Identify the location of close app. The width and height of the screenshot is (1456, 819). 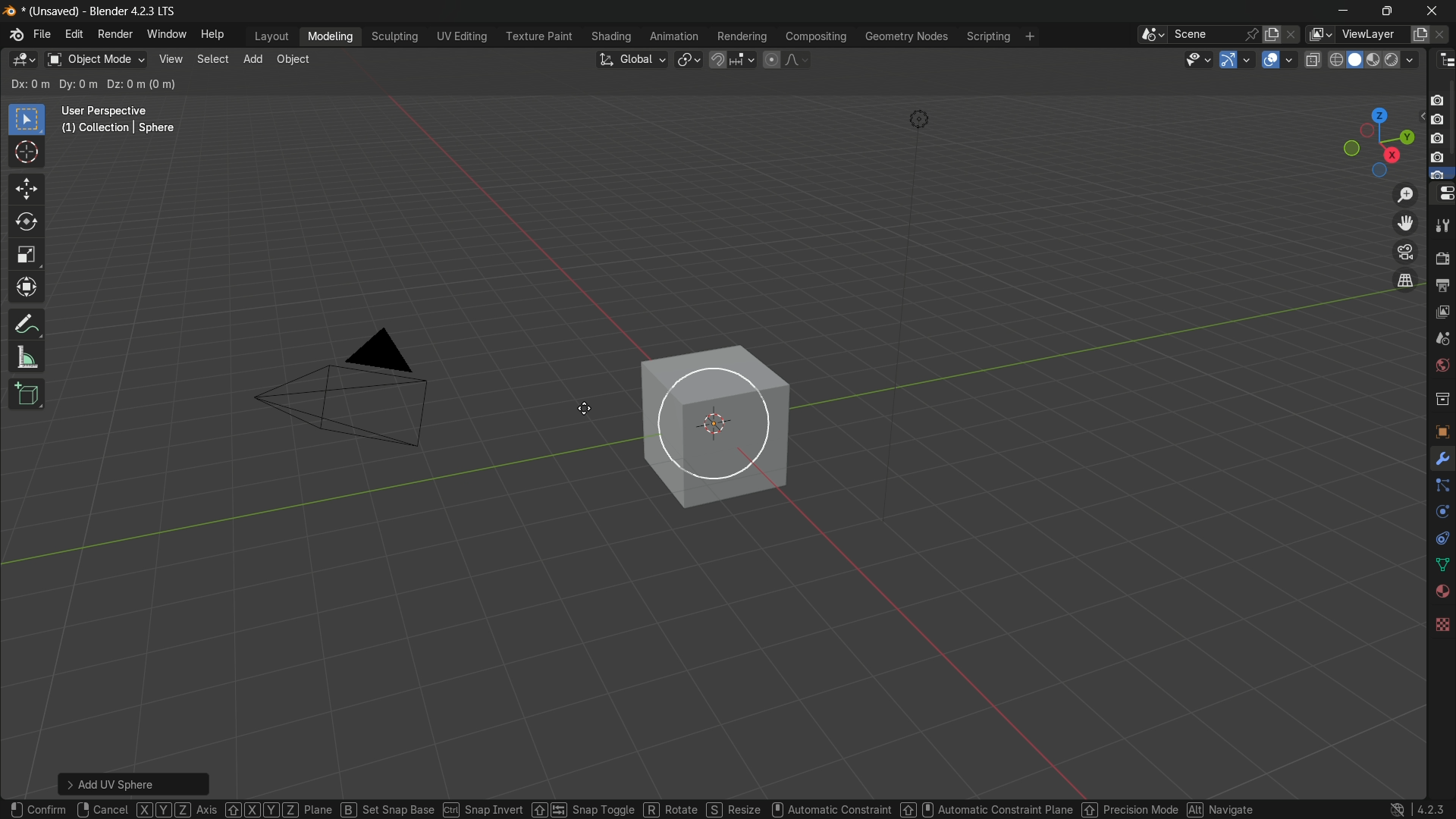
(1435, 11).